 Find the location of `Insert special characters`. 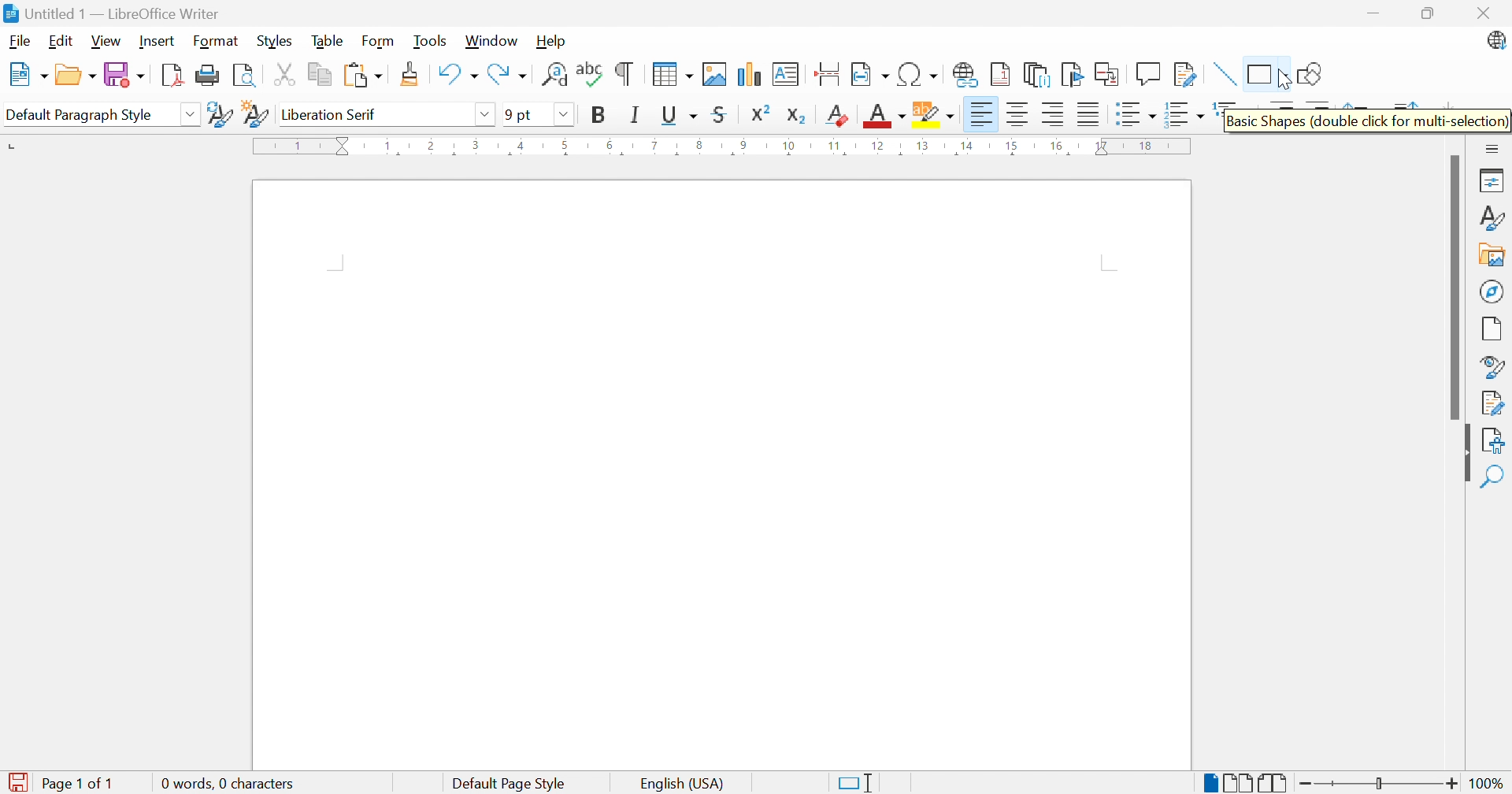

Insert special characters is located at coordinates (917, 73).